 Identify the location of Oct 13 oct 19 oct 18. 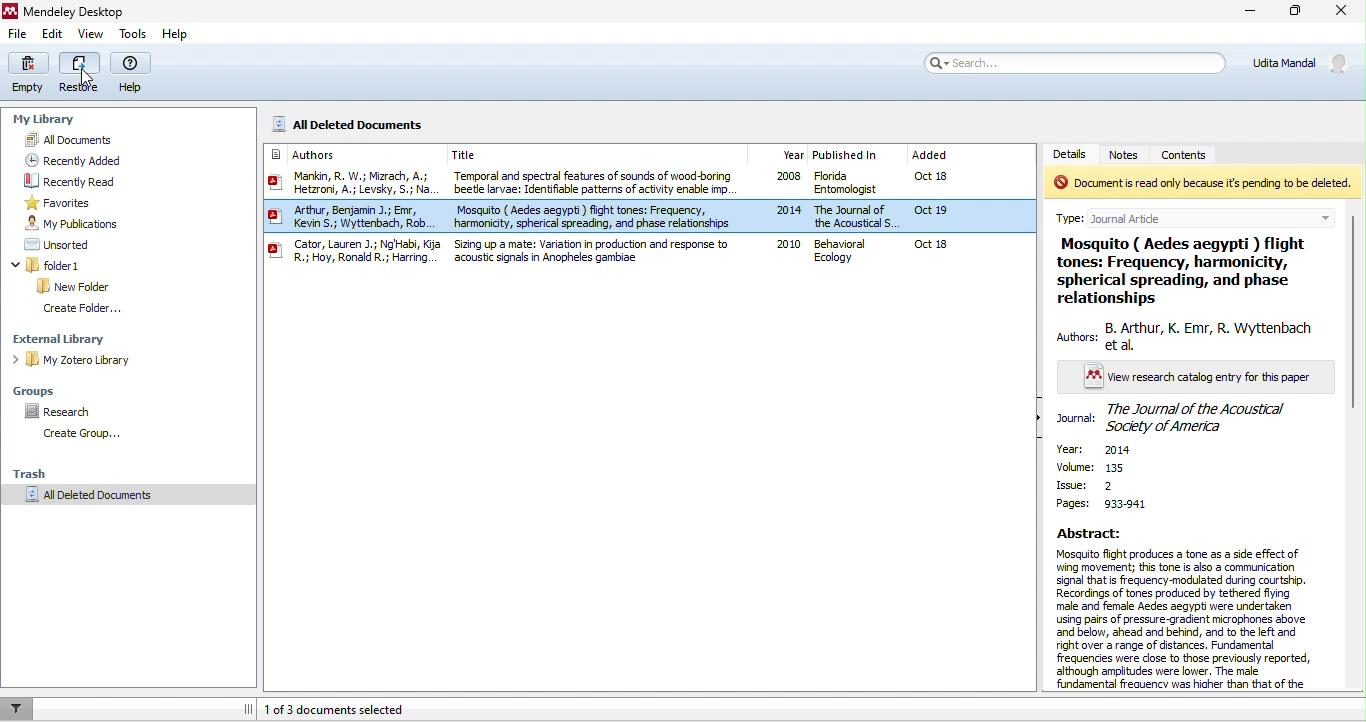
(941, 215).